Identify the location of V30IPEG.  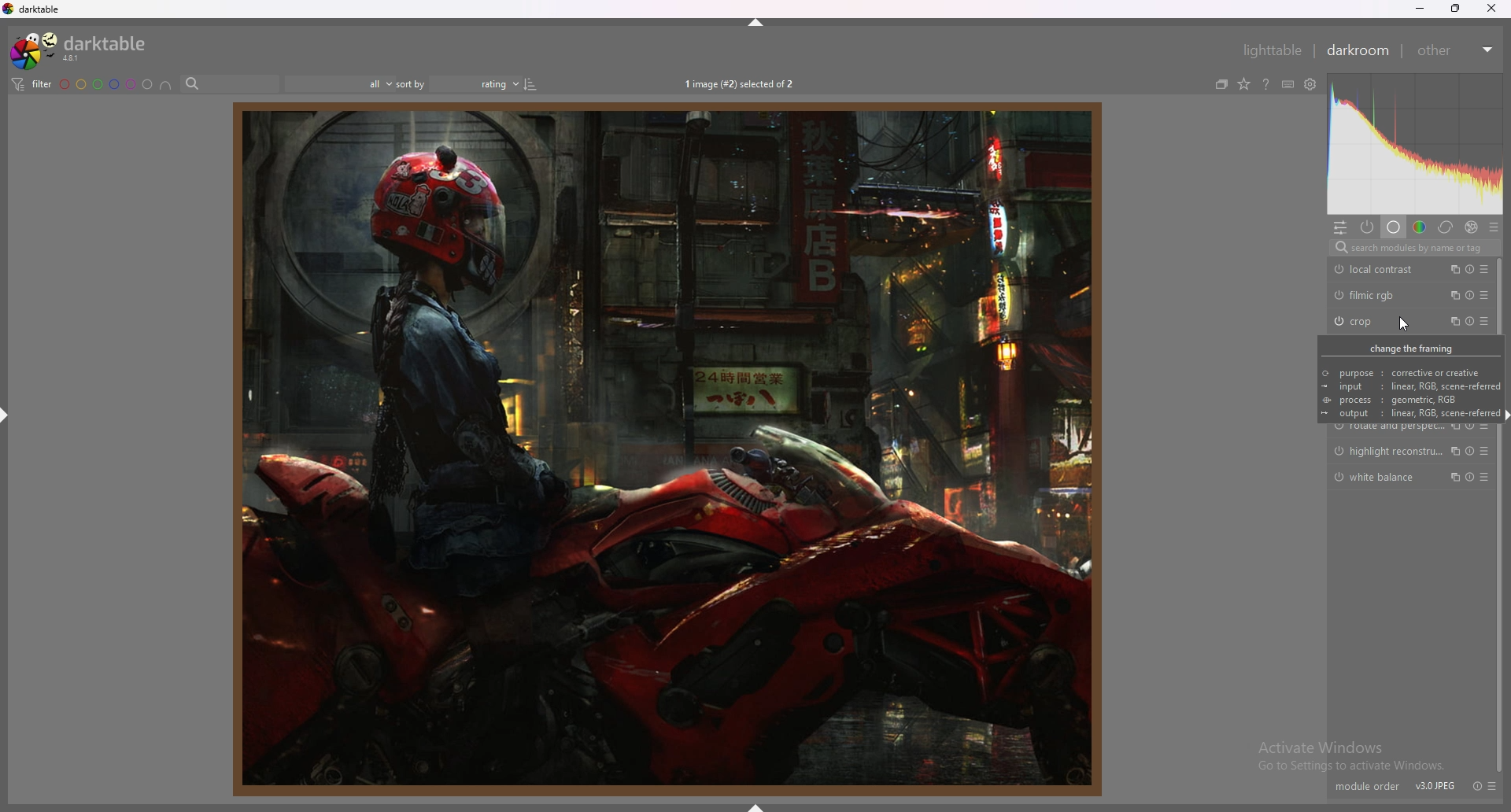
(1434, 779).